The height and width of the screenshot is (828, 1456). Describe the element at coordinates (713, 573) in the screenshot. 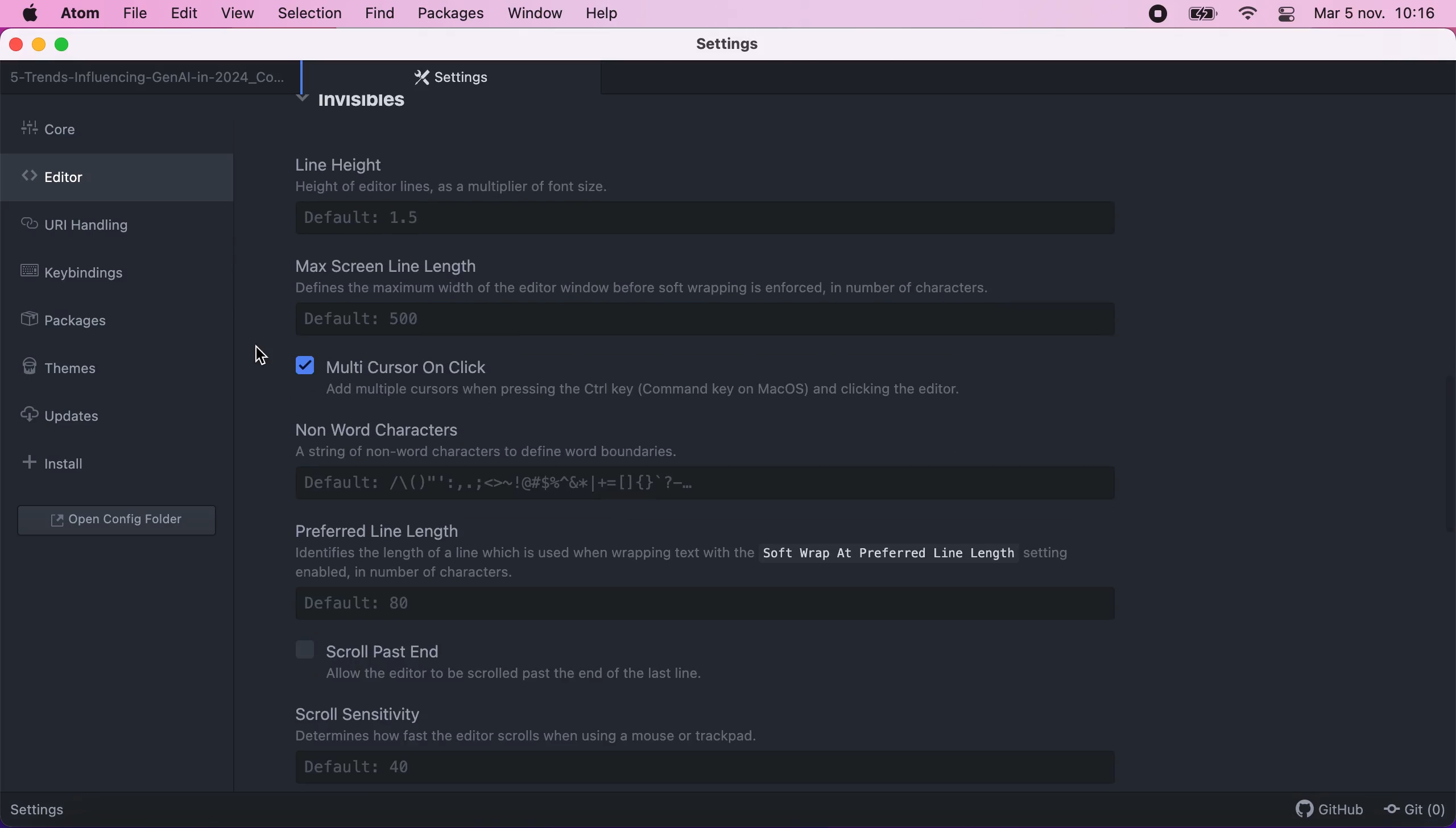

I see `preferred line length` at that location.